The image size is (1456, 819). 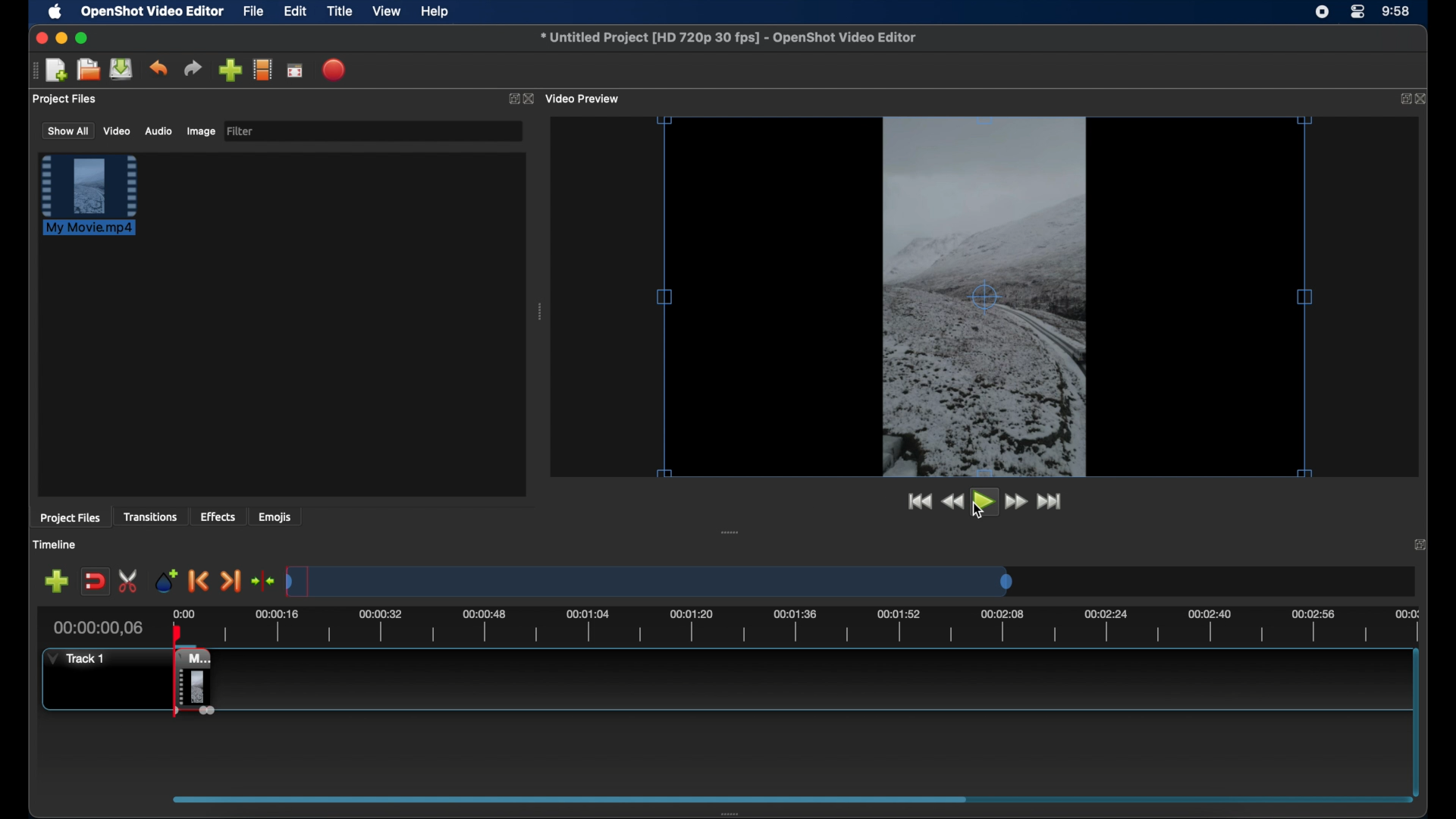 I want to click on playhead, so click(x=177, y=634).